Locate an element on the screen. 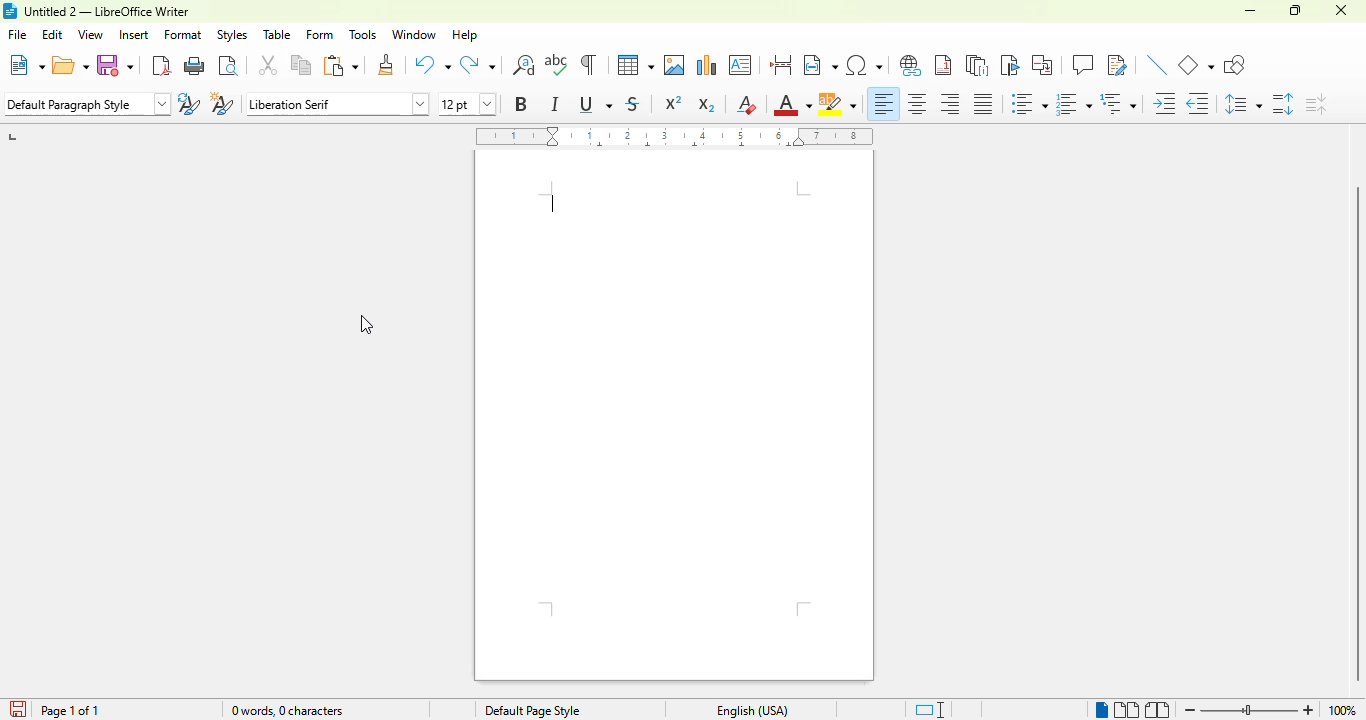 The width and height of the screenshot is (1366, 720). form is located at coordinates (319, 35).